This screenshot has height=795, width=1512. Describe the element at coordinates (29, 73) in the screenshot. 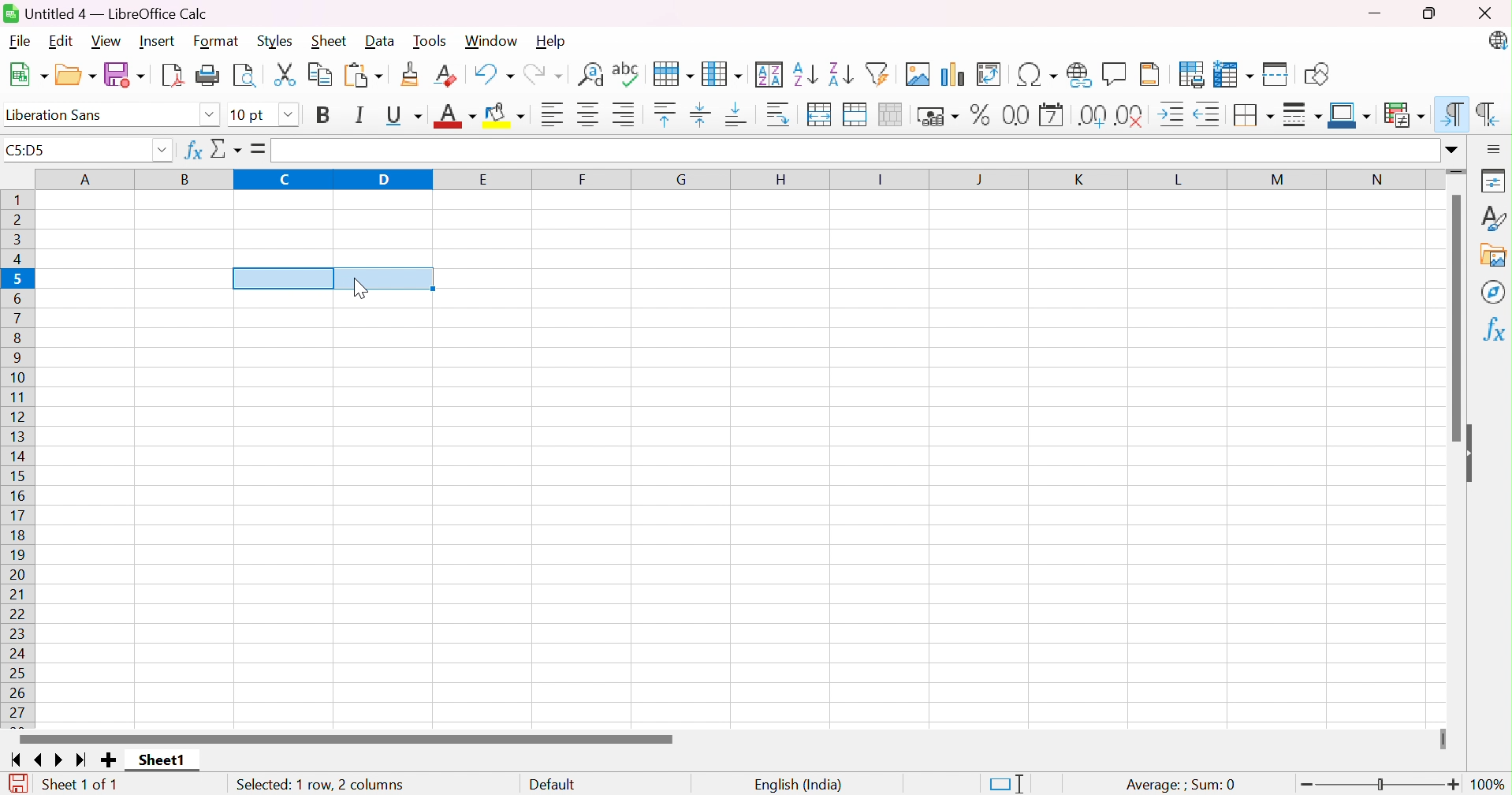

I see `New` at that location.